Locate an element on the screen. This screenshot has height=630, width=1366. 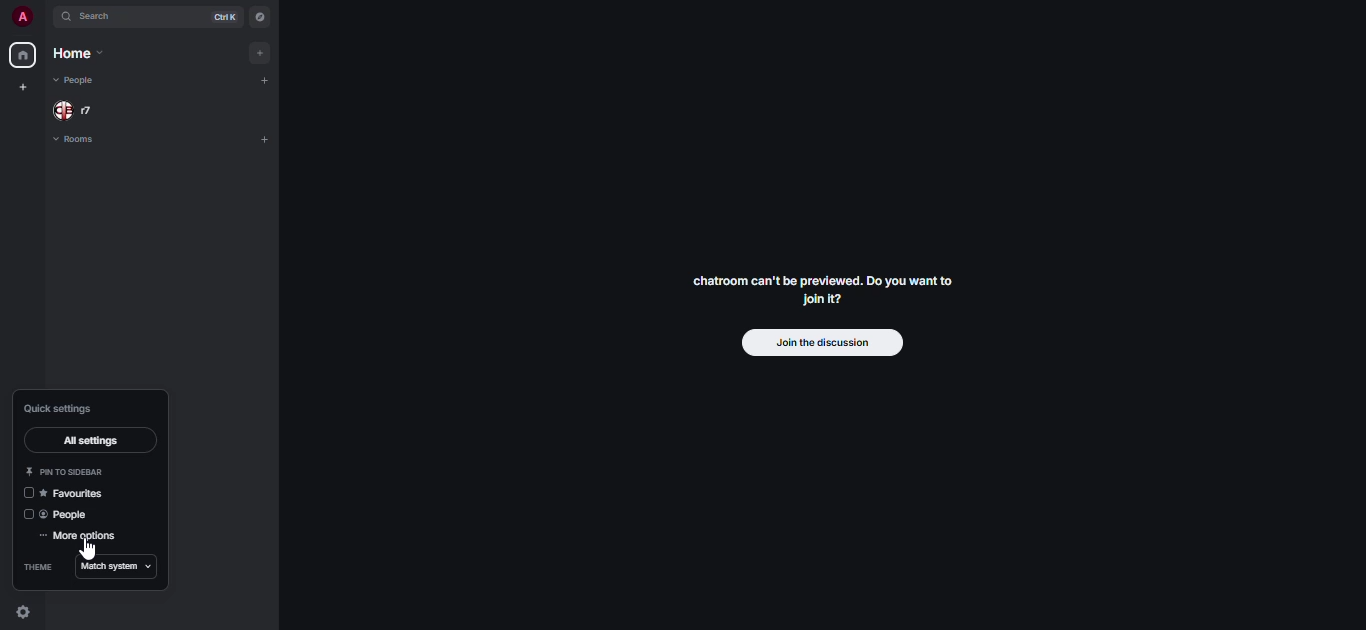
navigator is located at coordinates (259, 14).